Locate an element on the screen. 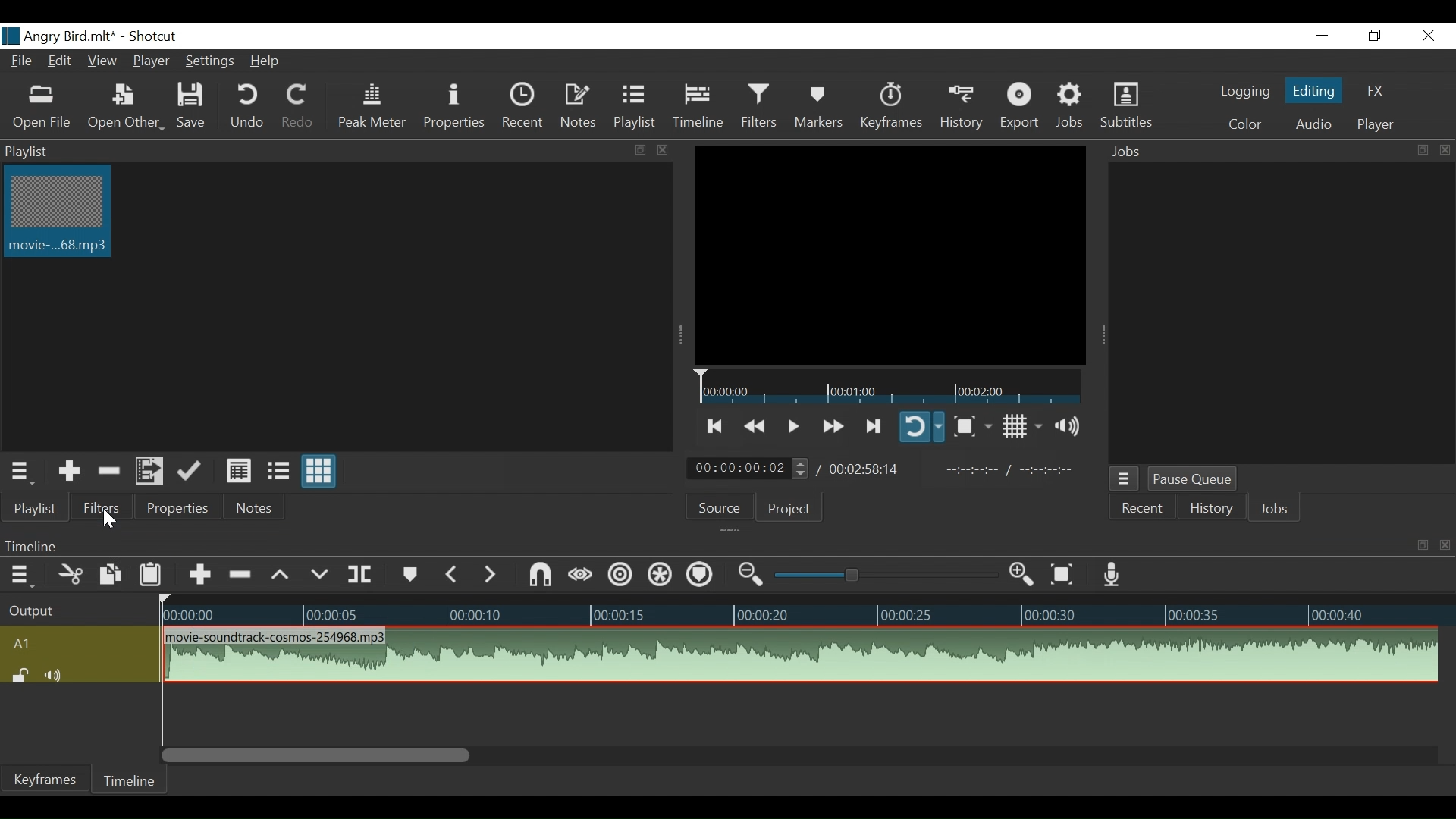 This screenshot has width=1456, height=819. Record audio is located at coordinates (1114, 576).